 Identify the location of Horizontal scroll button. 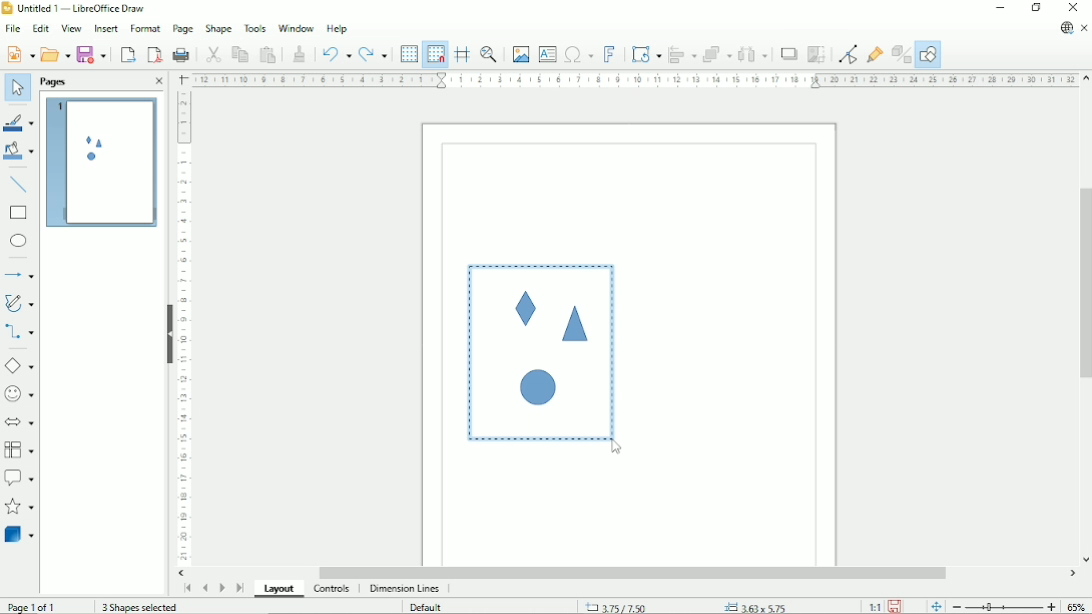
(184, 572).